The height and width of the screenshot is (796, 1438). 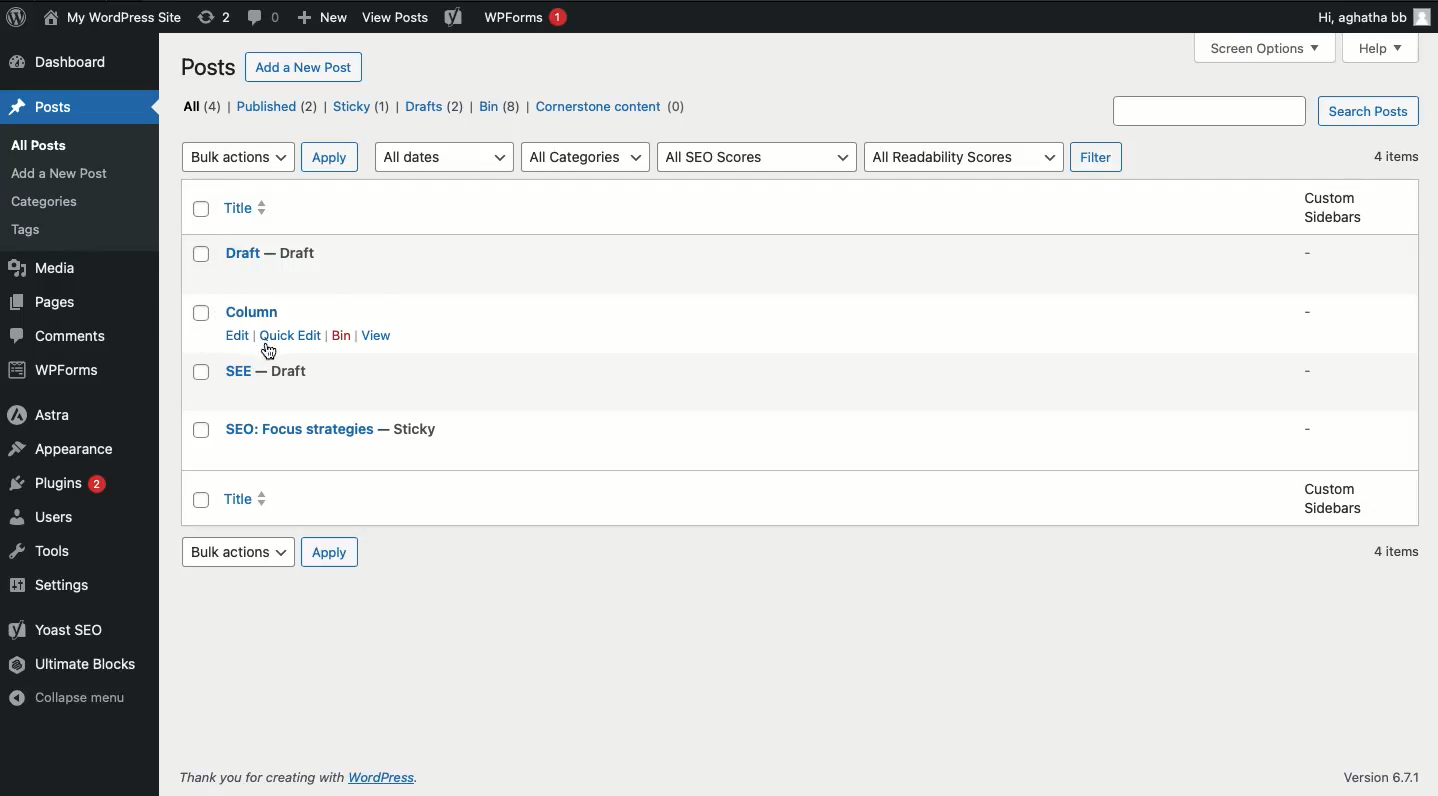 What do you see at coordinates (39, 108) in the screenshot?
I see `Home` at bounding box center [39, 108].